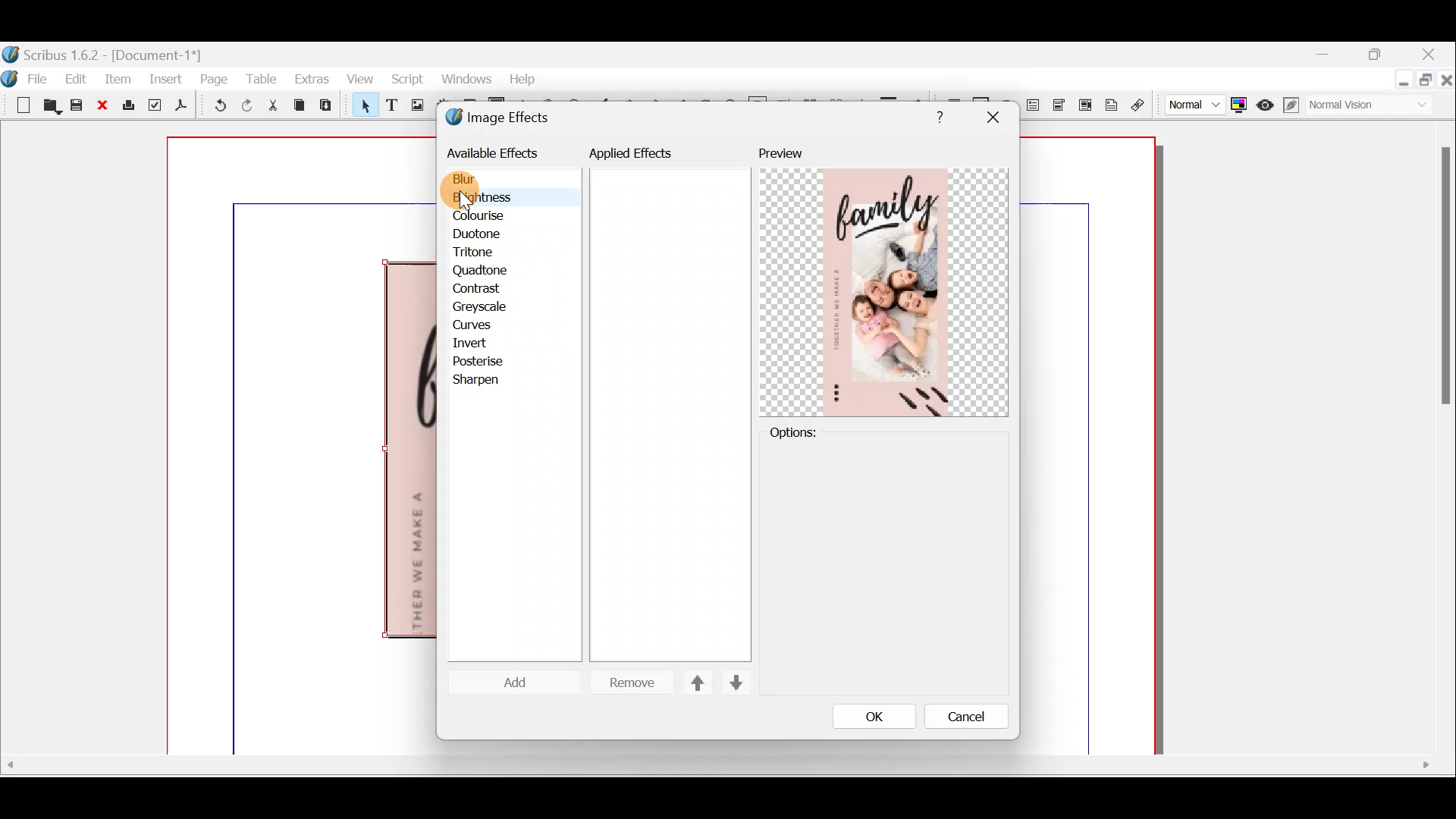  Describe the element at coordinates (215, 78) in the screenshot. I see `Page` at that location.